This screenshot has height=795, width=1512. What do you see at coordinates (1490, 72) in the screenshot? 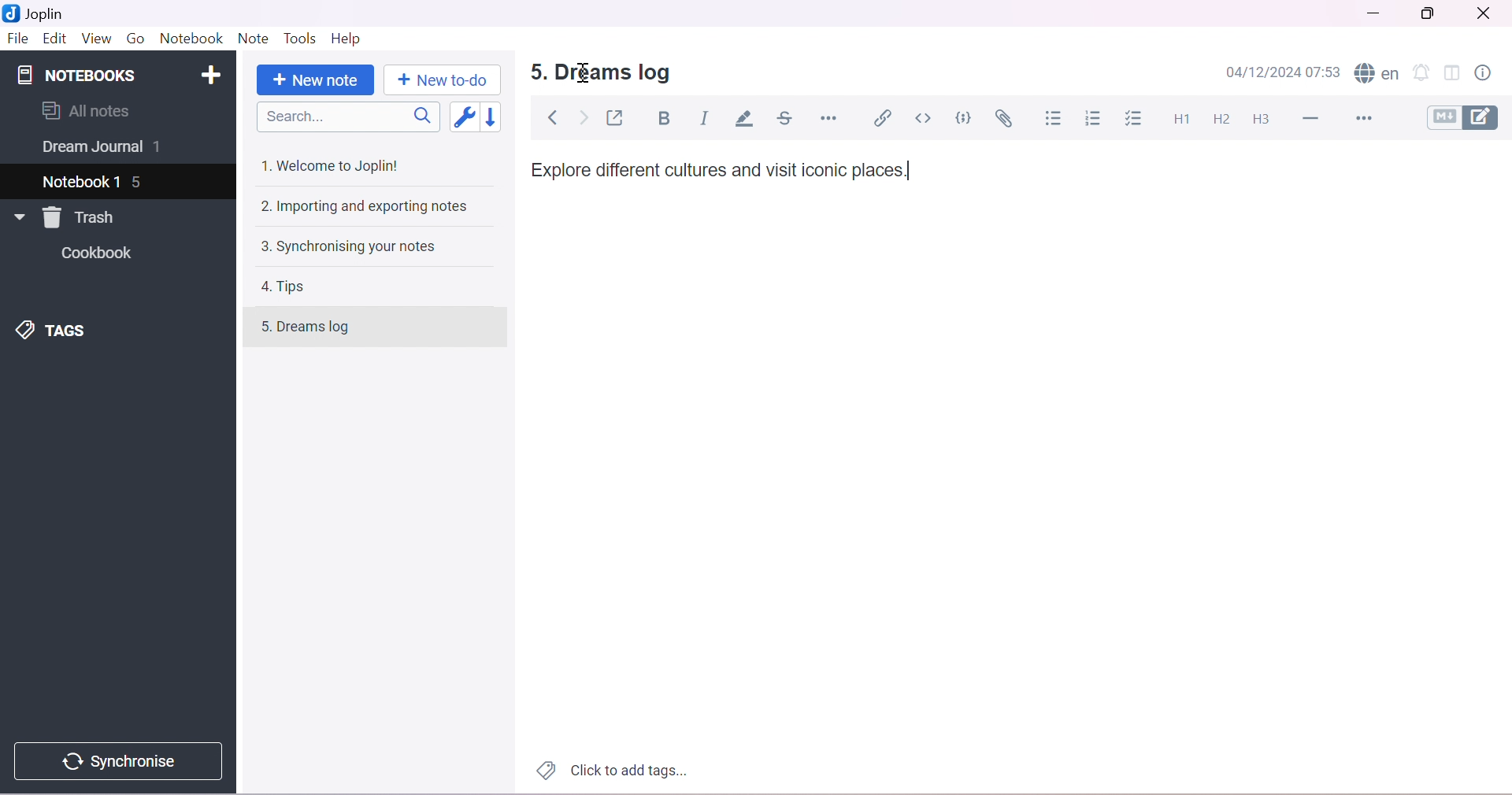
I see `Note properties` at bounding box center [1490, 72].